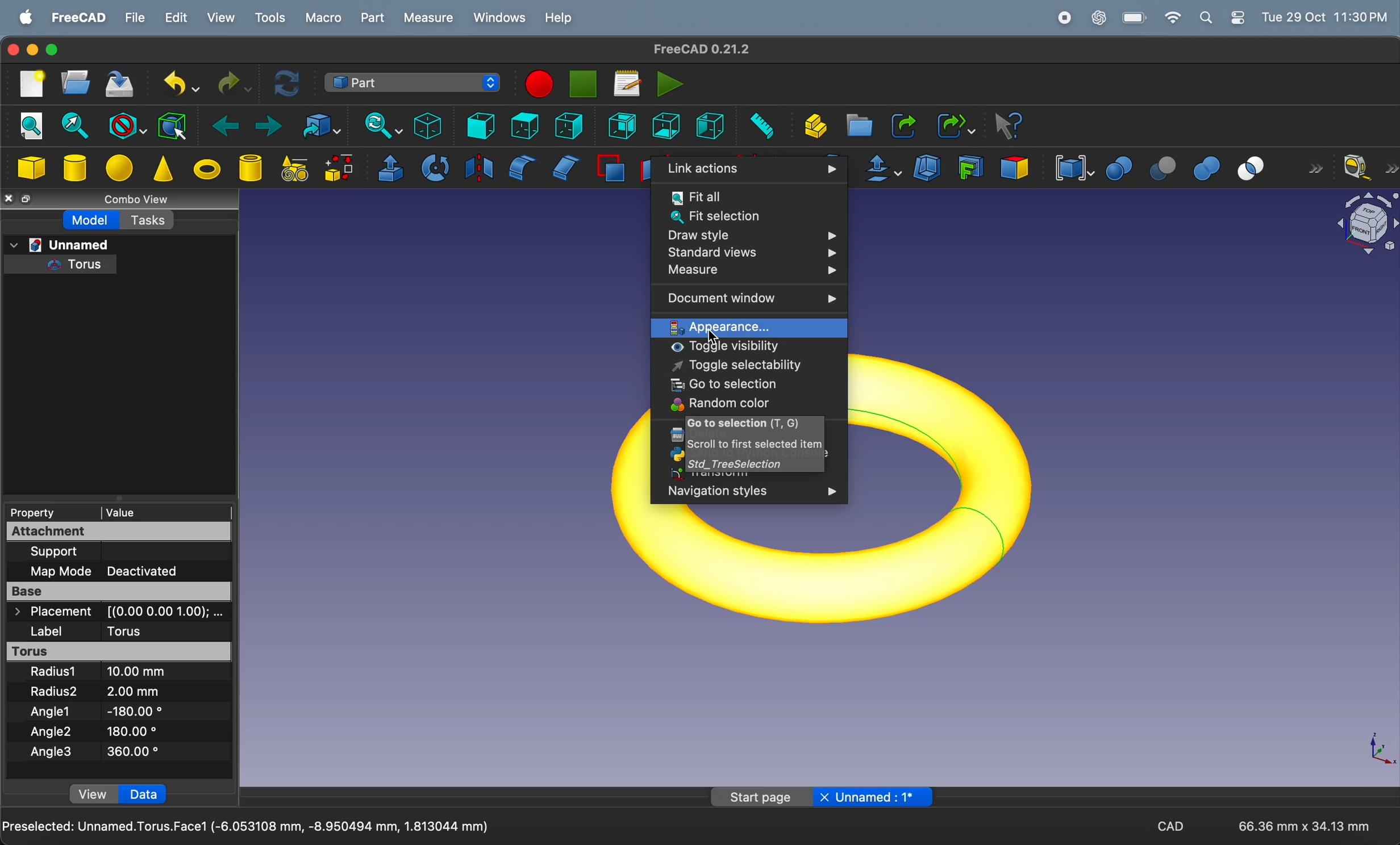 The height and width of the screenshot is (845, 1400). Describe the element at coordinates (341, 169) in the screenshot. I see `shape builder` at that location.